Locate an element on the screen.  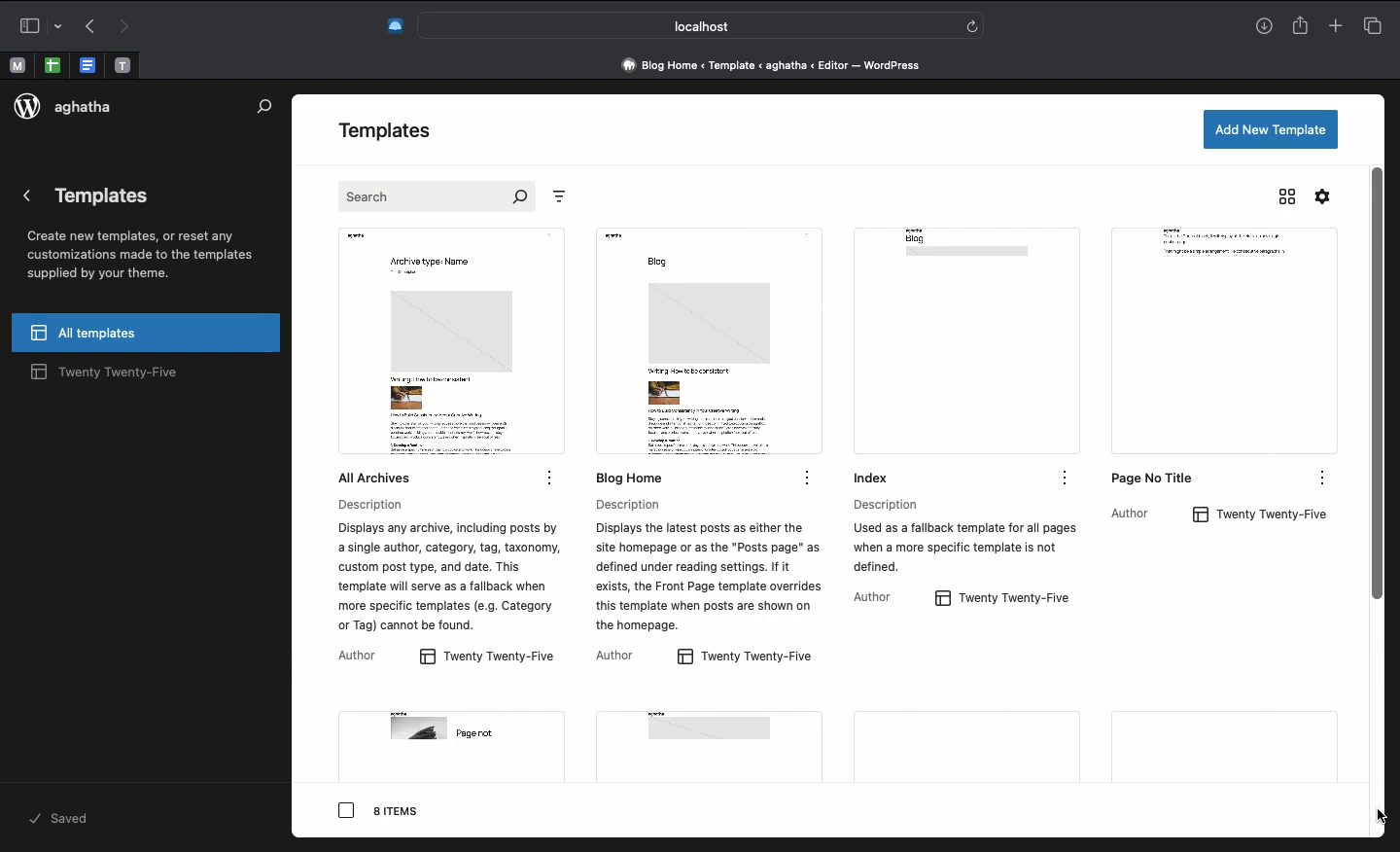
twenty twenty-five is located at coordinates (481, 657).